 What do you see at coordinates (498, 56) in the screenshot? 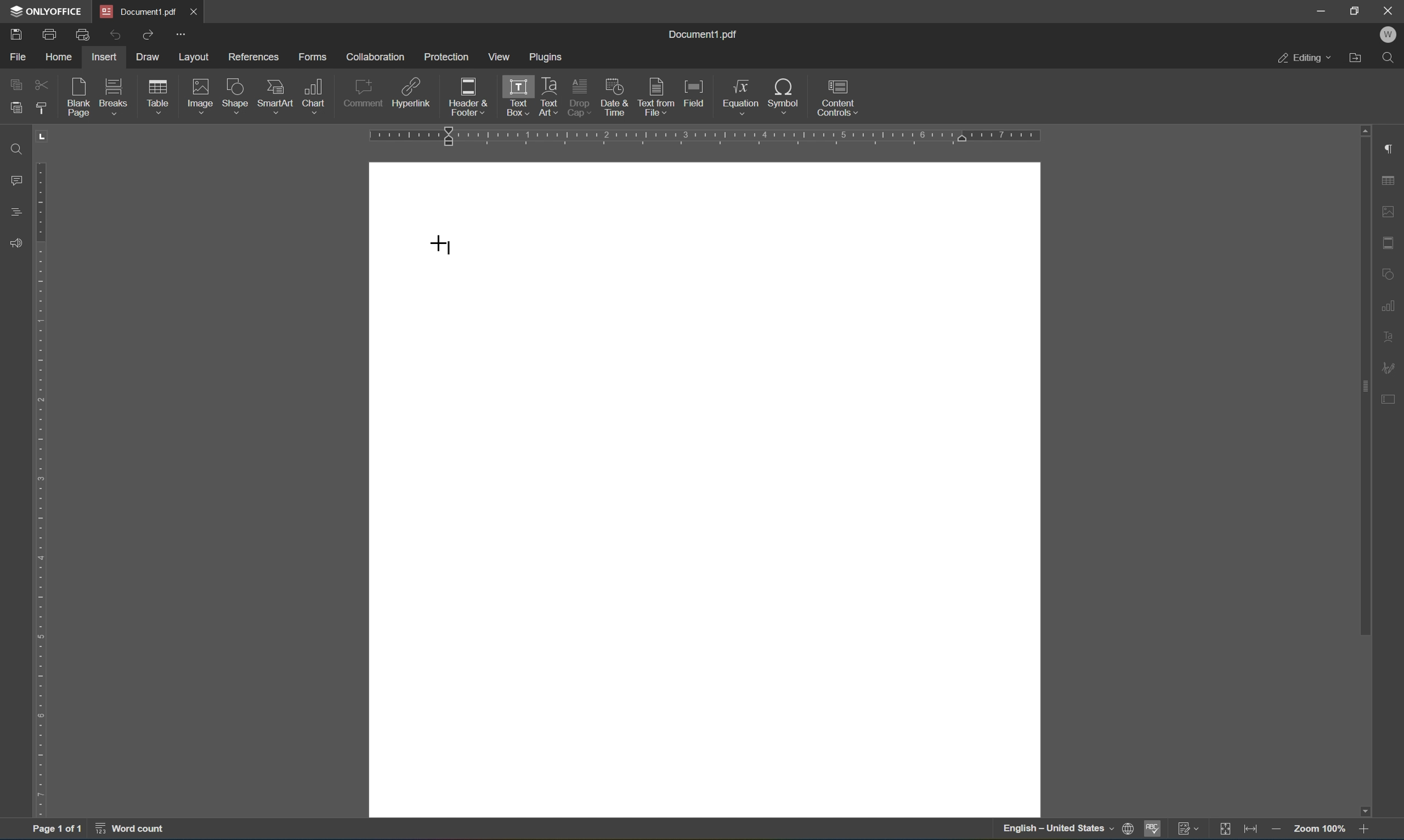
I see `view` at bounding box center [498, 56].